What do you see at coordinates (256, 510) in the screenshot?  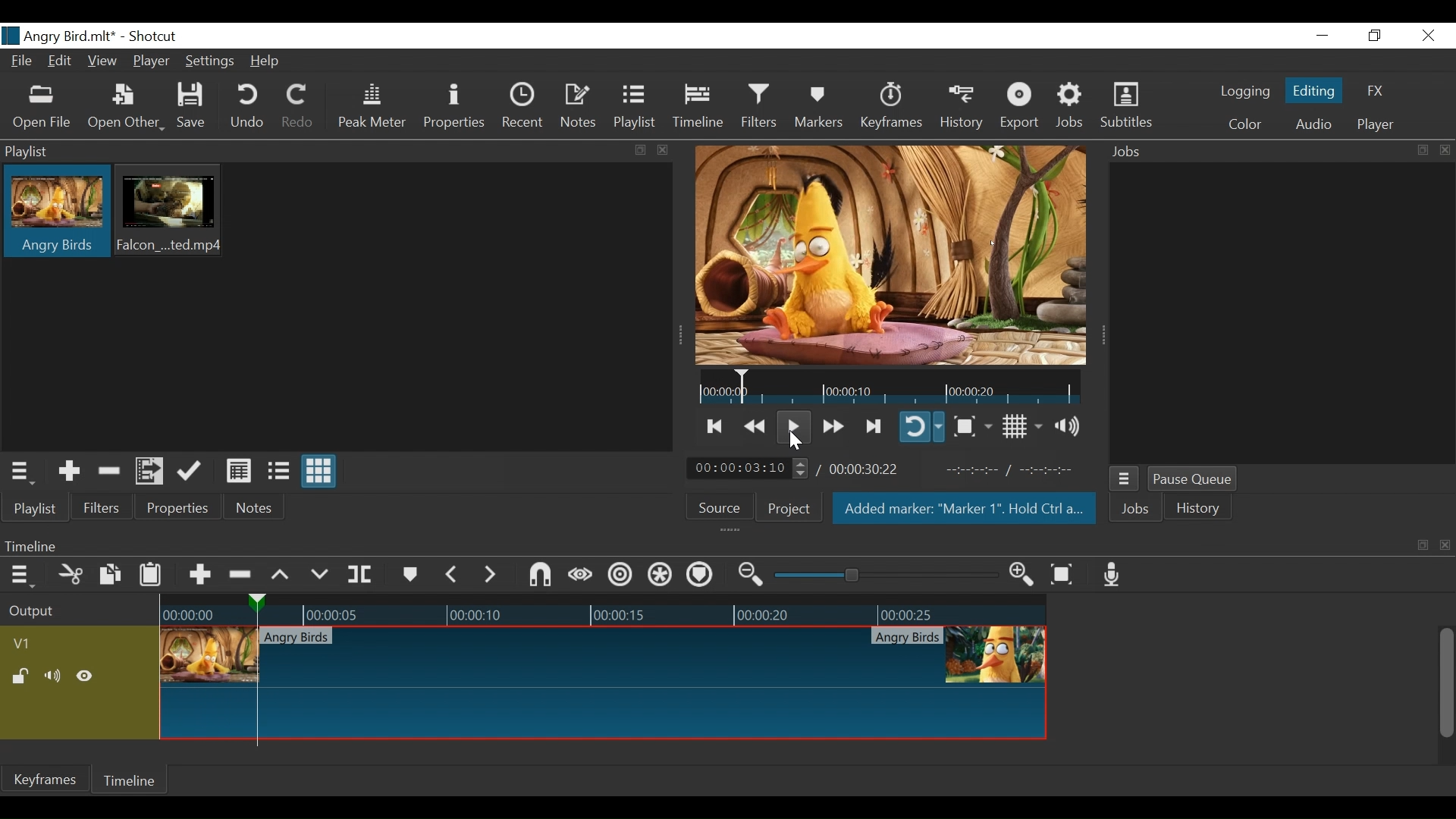 I see `Notes` at bounding box center [256, 510].